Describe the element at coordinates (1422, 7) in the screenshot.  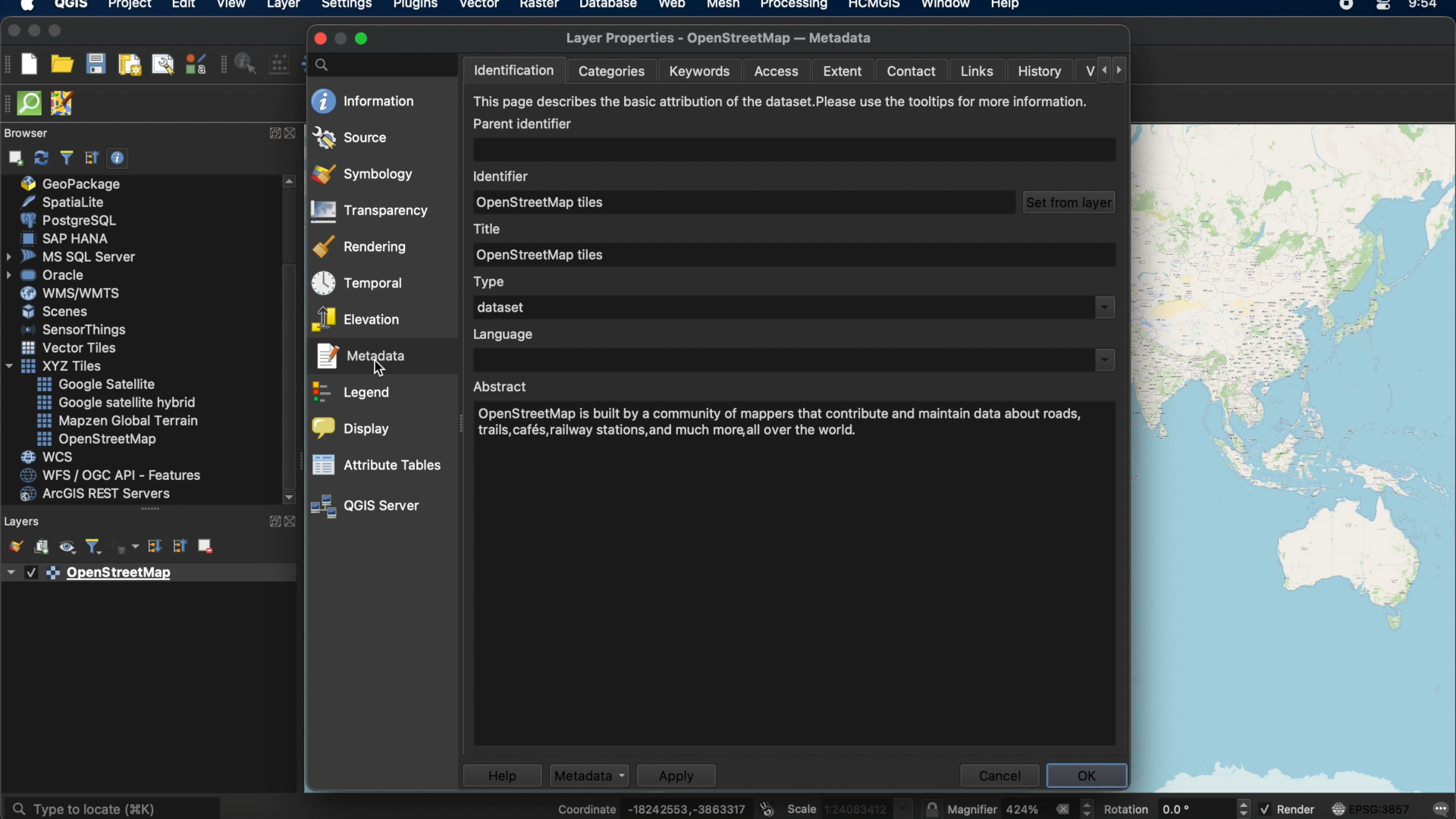
I see `time` at that location.